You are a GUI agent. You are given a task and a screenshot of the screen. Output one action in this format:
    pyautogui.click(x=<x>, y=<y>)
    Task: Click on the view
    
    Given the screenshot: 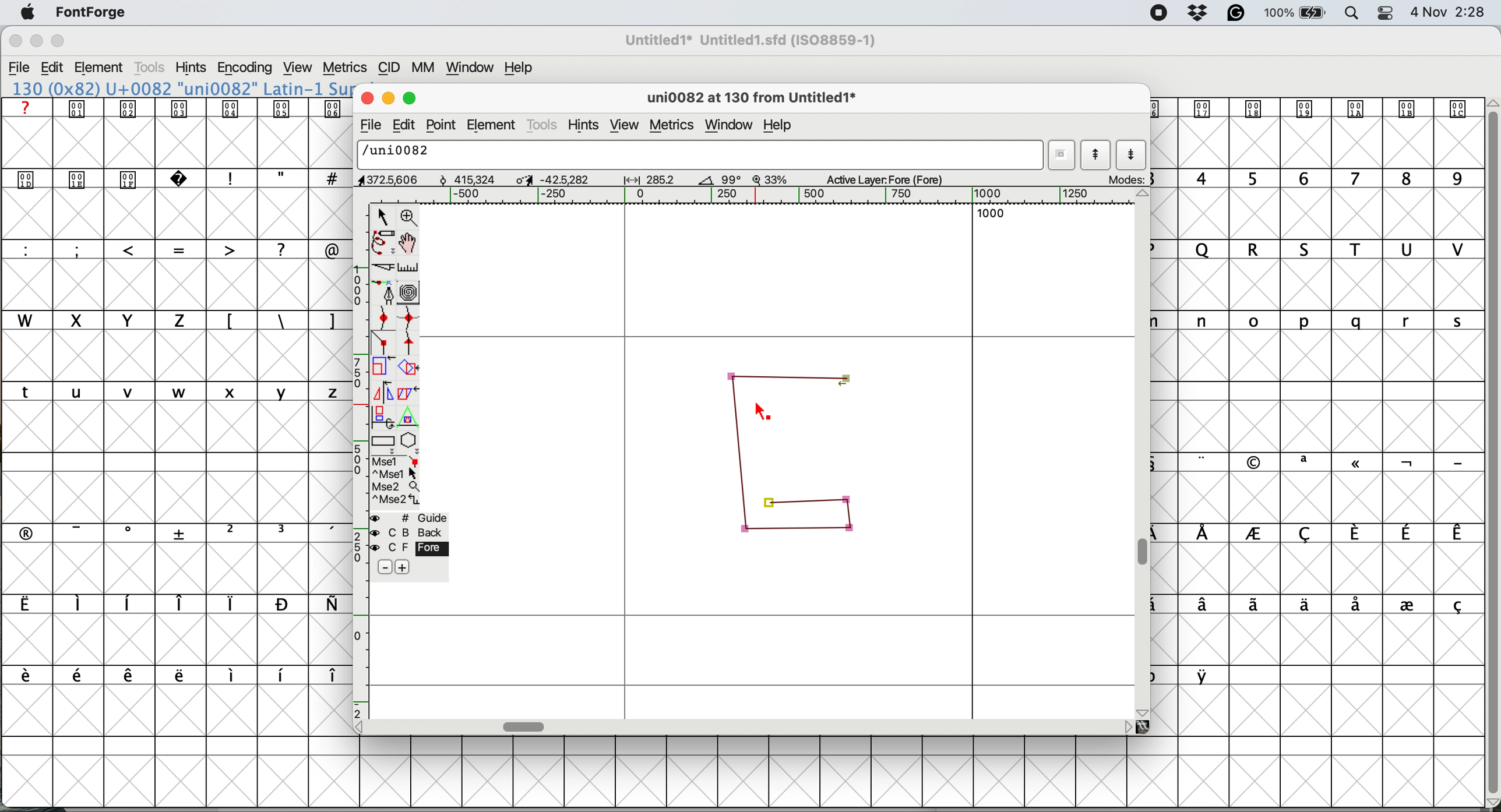 What is the action you would take?
    pyautogui.click(x=625, y=126)
    